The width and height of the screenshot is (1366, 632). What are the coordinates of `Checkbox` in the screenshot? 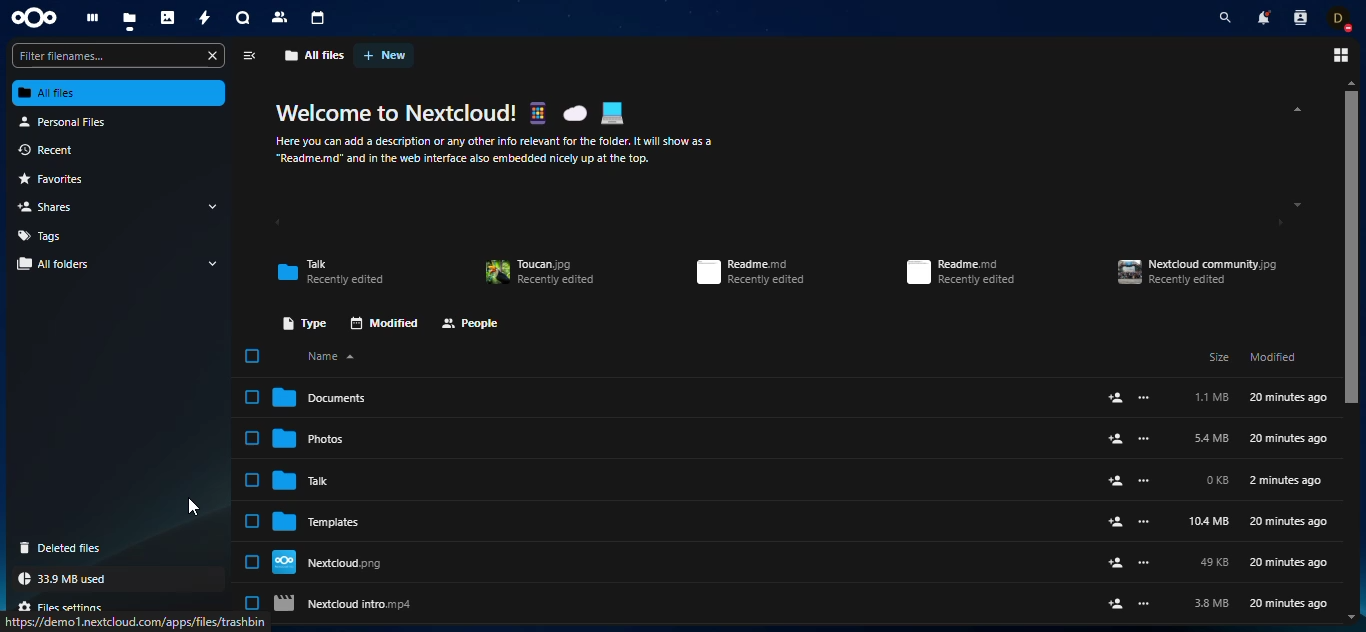 It's located at (250, 479).